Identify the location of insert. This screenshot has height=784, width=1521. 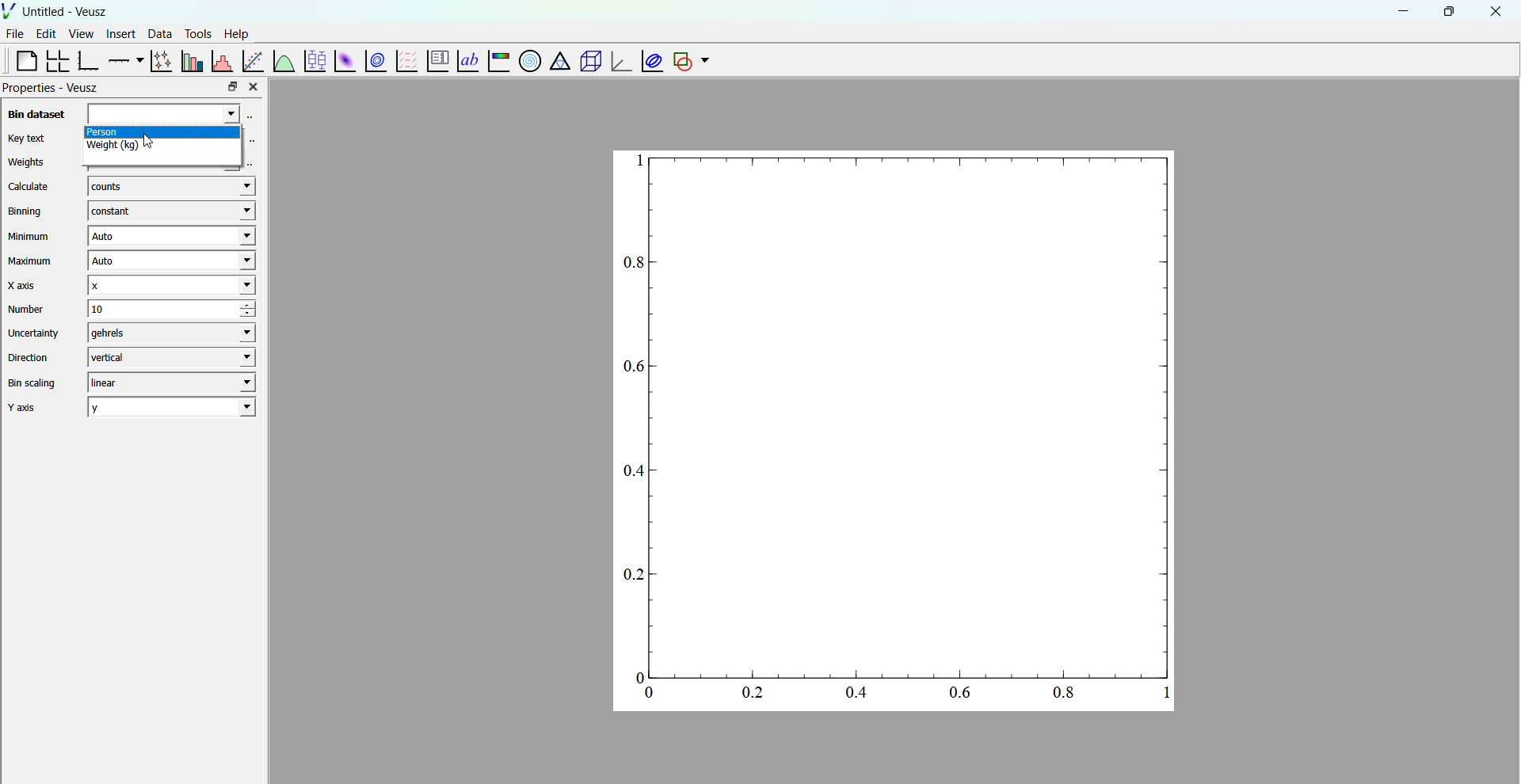
(118, 32).